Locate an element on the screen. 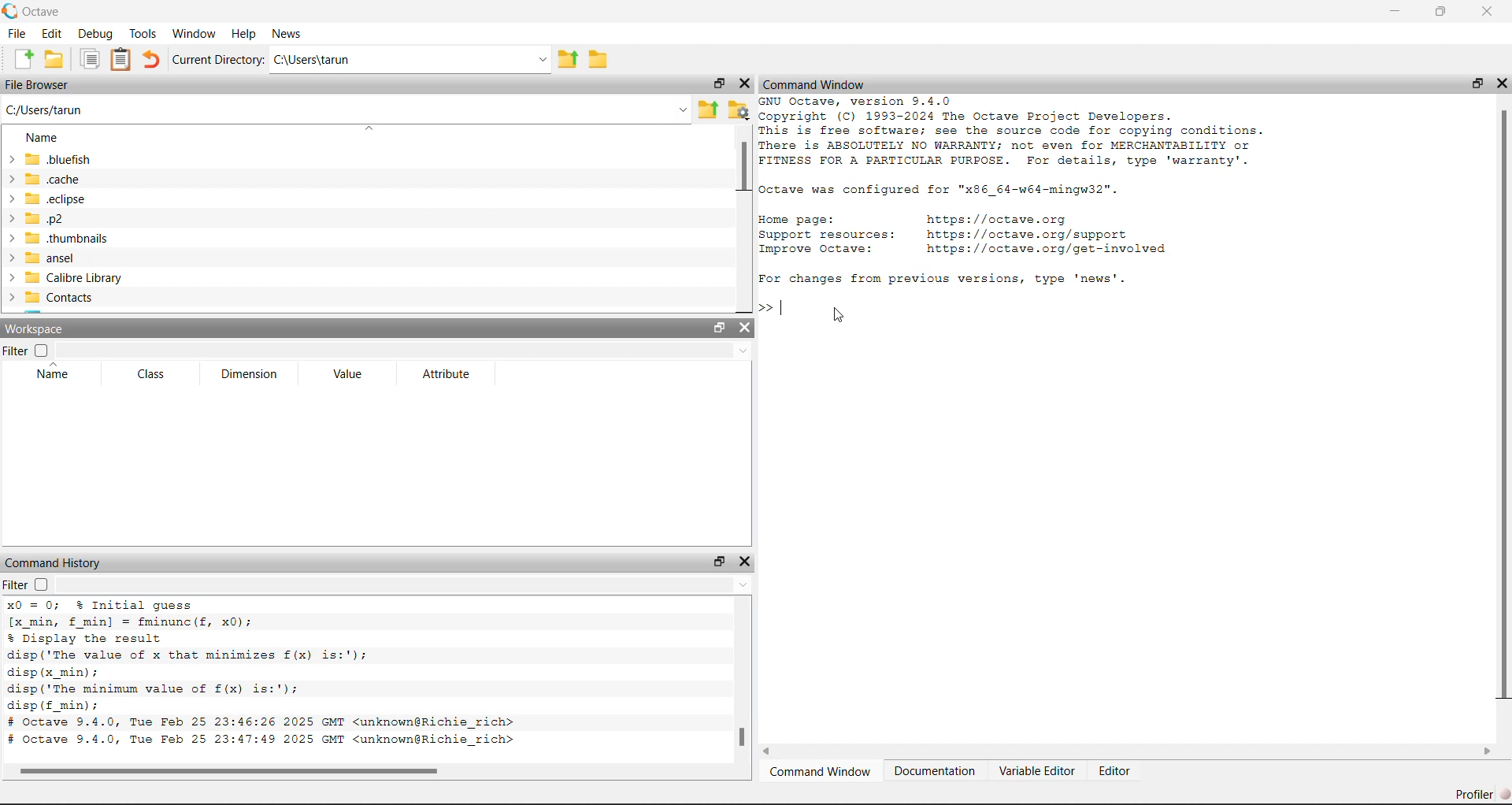  File is located at coordinates (18, 33).